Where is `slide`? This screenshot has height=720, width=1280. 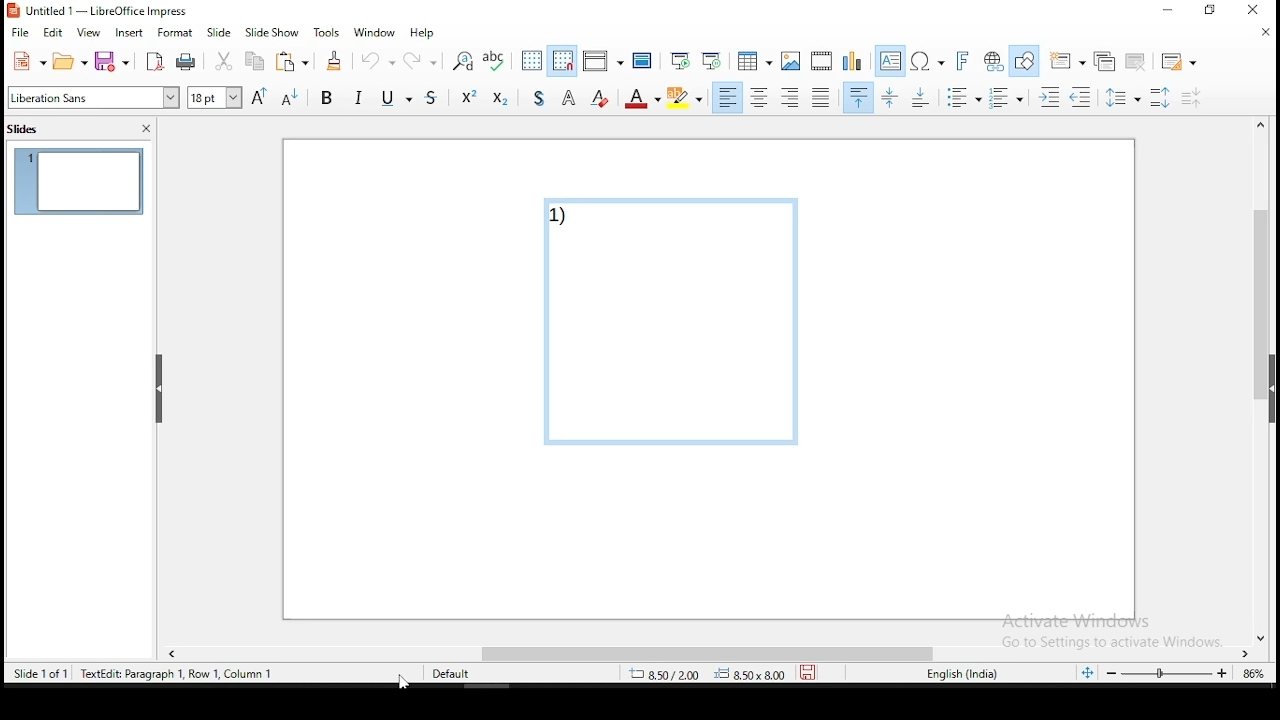
slide is located at coordinates (79, 183).